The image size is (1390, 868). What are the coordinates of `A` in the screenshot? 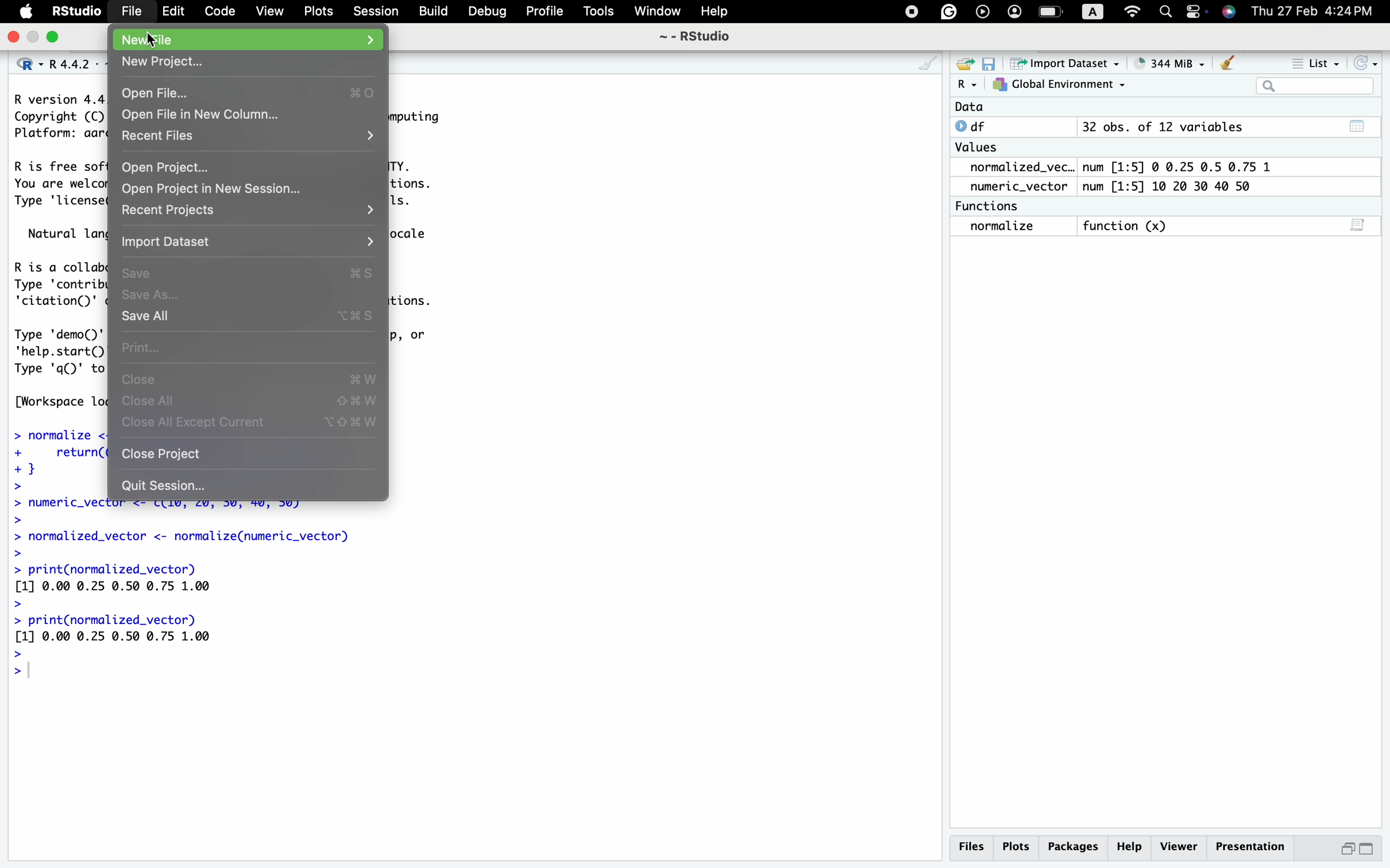 It's located at (1097, 10).